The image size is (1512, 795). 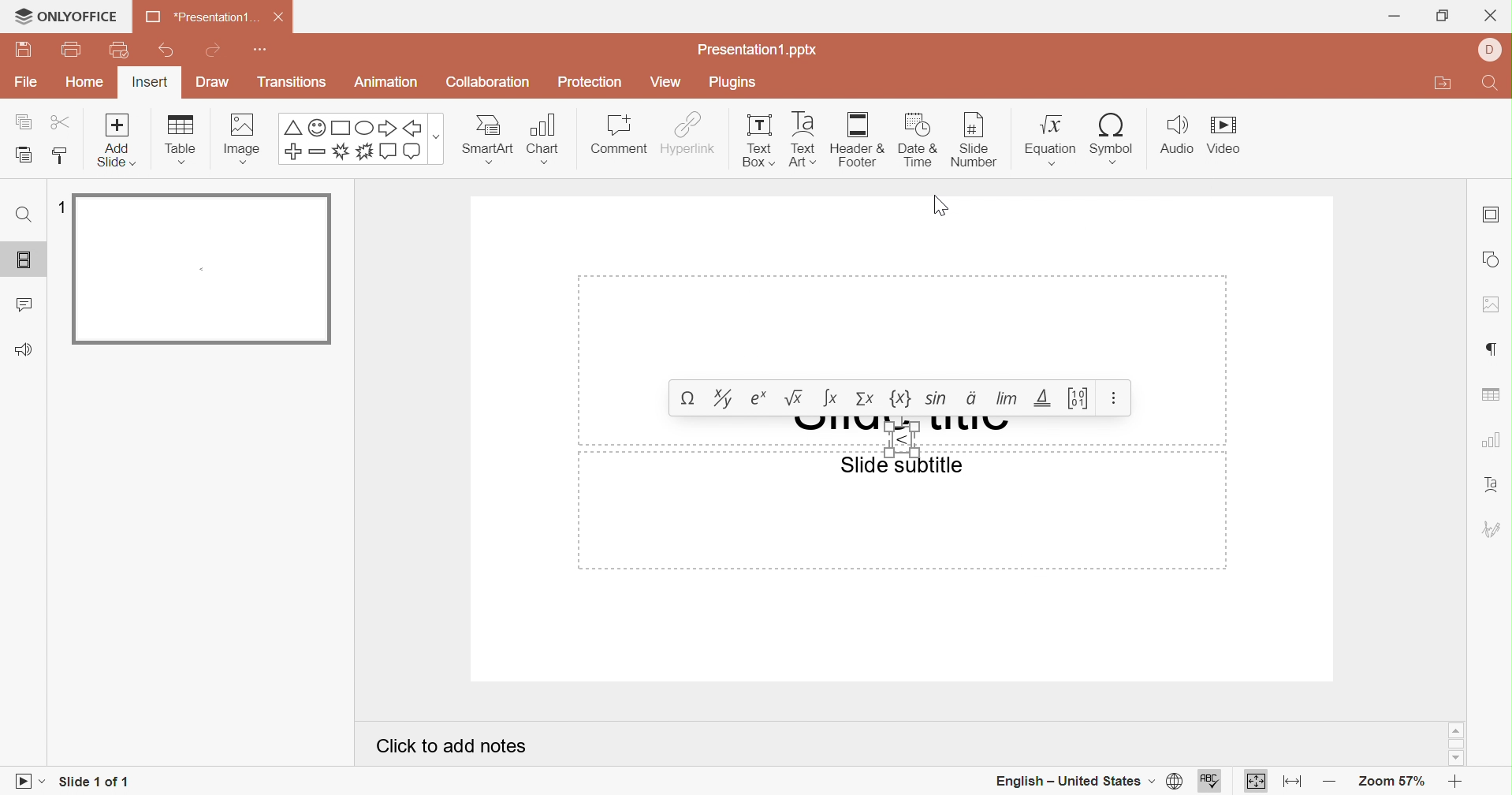 What do you see at coordinates (1489, 443) in the screenshot?
I see `chart settings` at bounding box center [1489, 443].